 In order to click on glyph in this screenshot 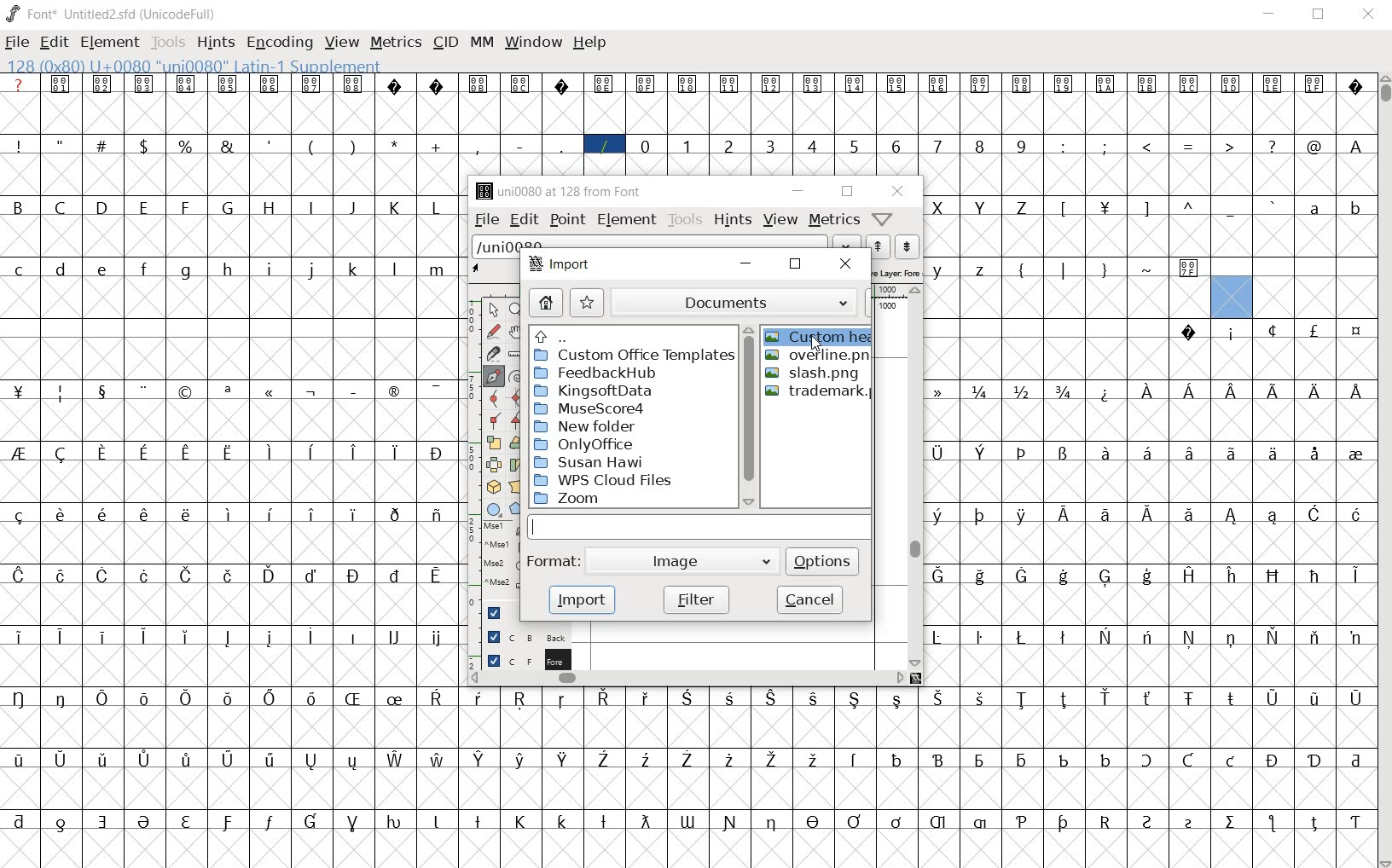, I will do `click(1314, 147)`.